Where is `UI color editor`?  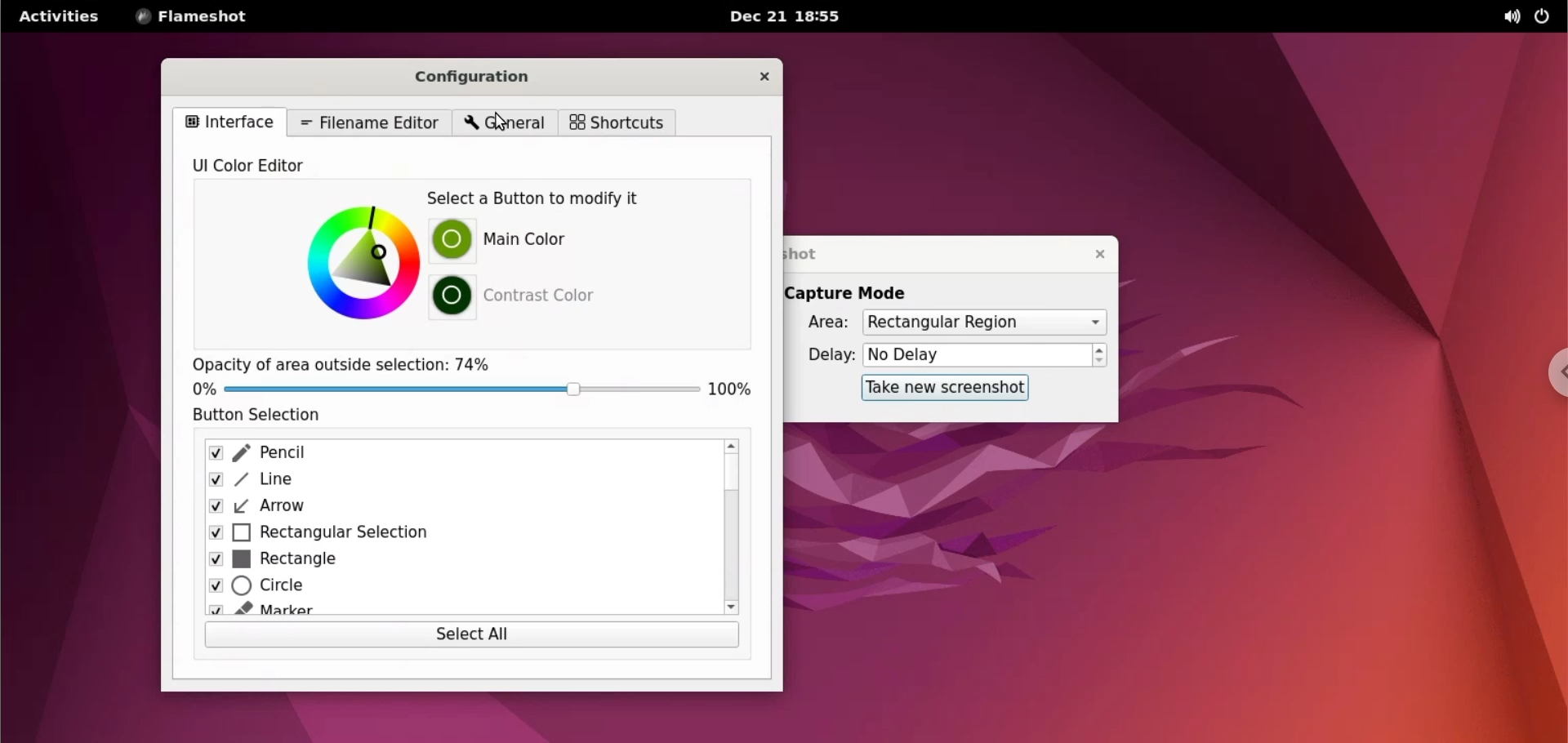
UI color editor is located at coordinates (271, 167).